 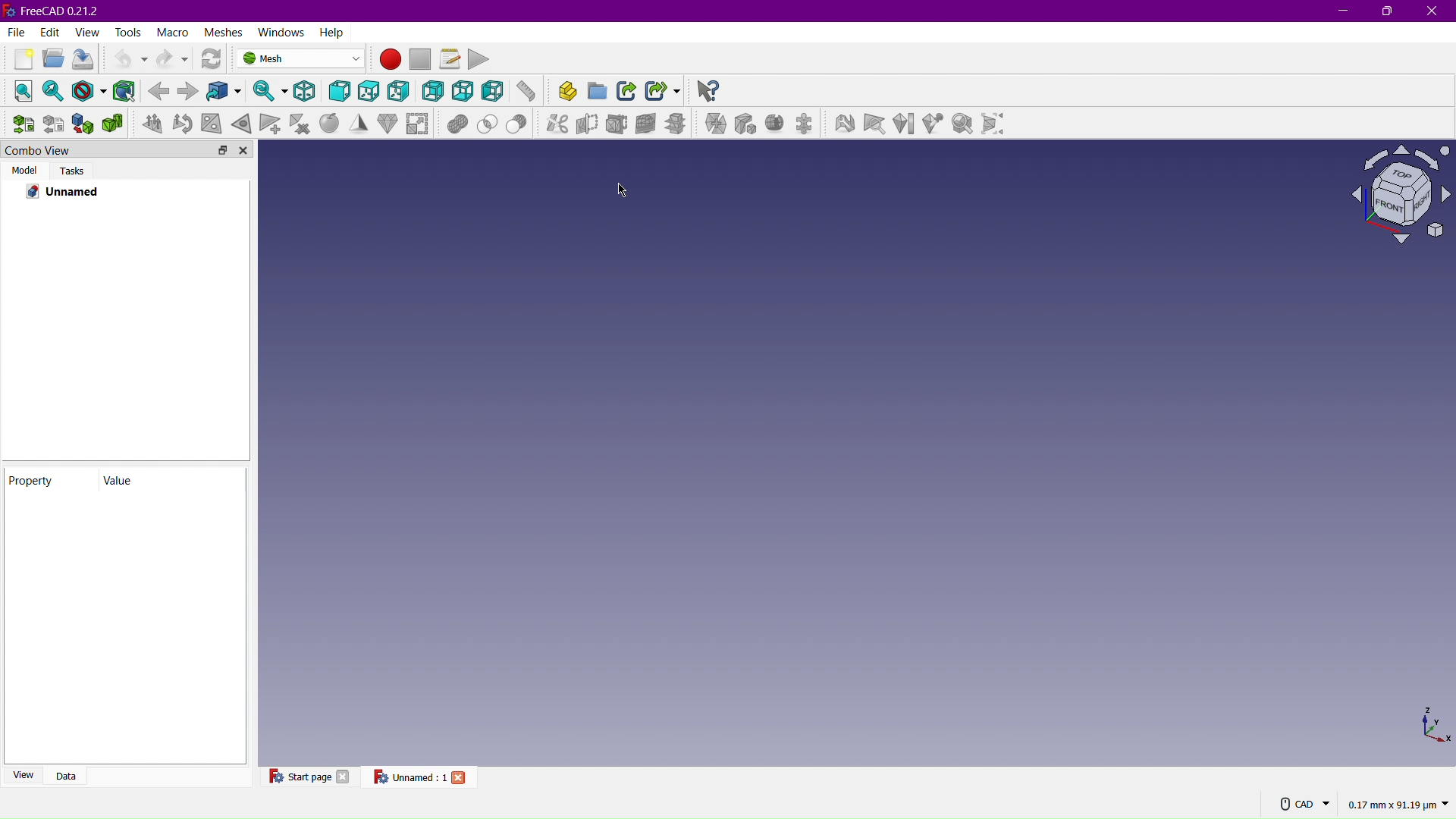 What do you see at coordinates (299, 124) in the screenshot?
I see `Remove components` at bounding box center [299, 124].